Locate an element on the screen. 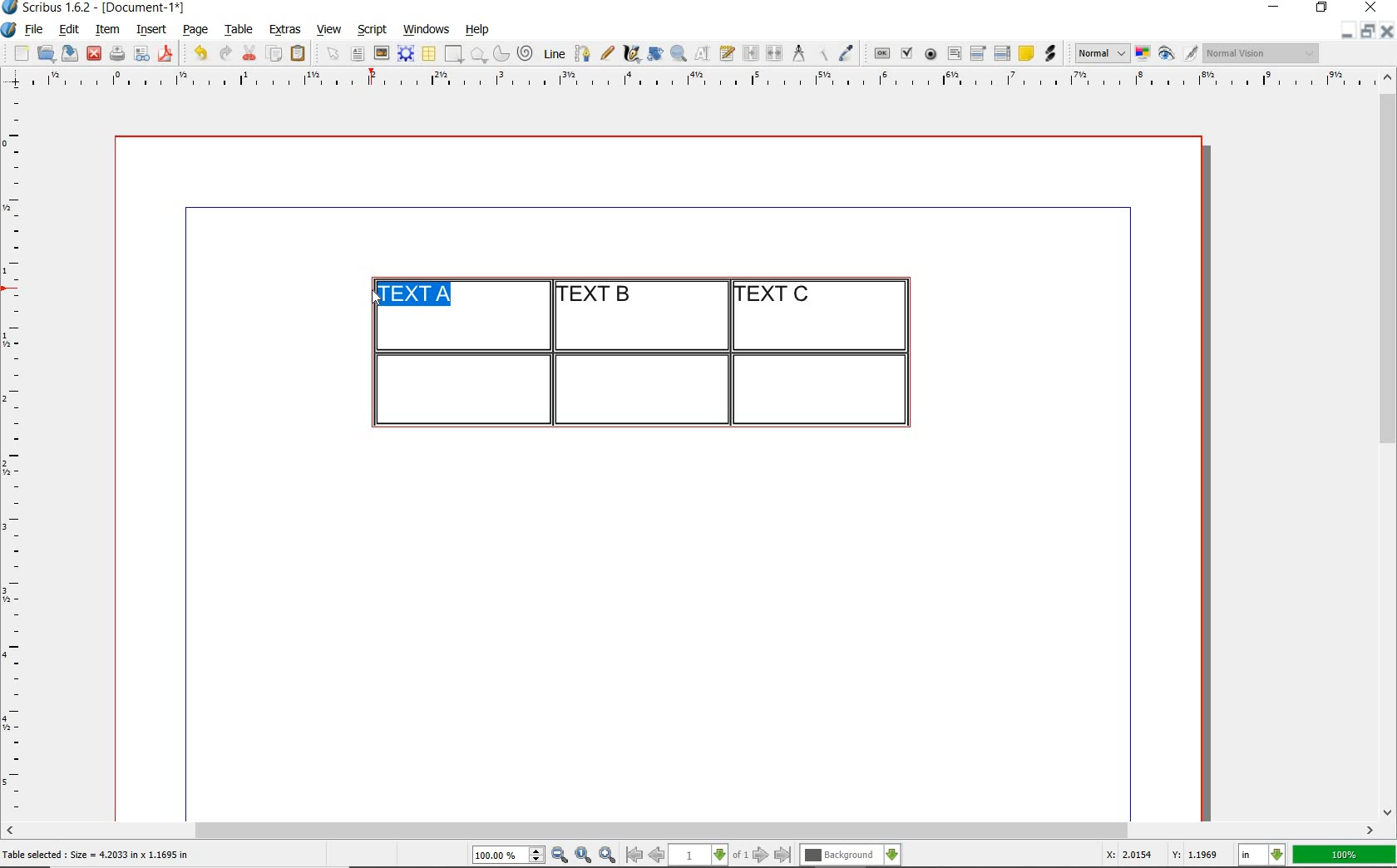 The width and height of the screenshot is (1397, 868). image frame is located at coordinates (383, 53).